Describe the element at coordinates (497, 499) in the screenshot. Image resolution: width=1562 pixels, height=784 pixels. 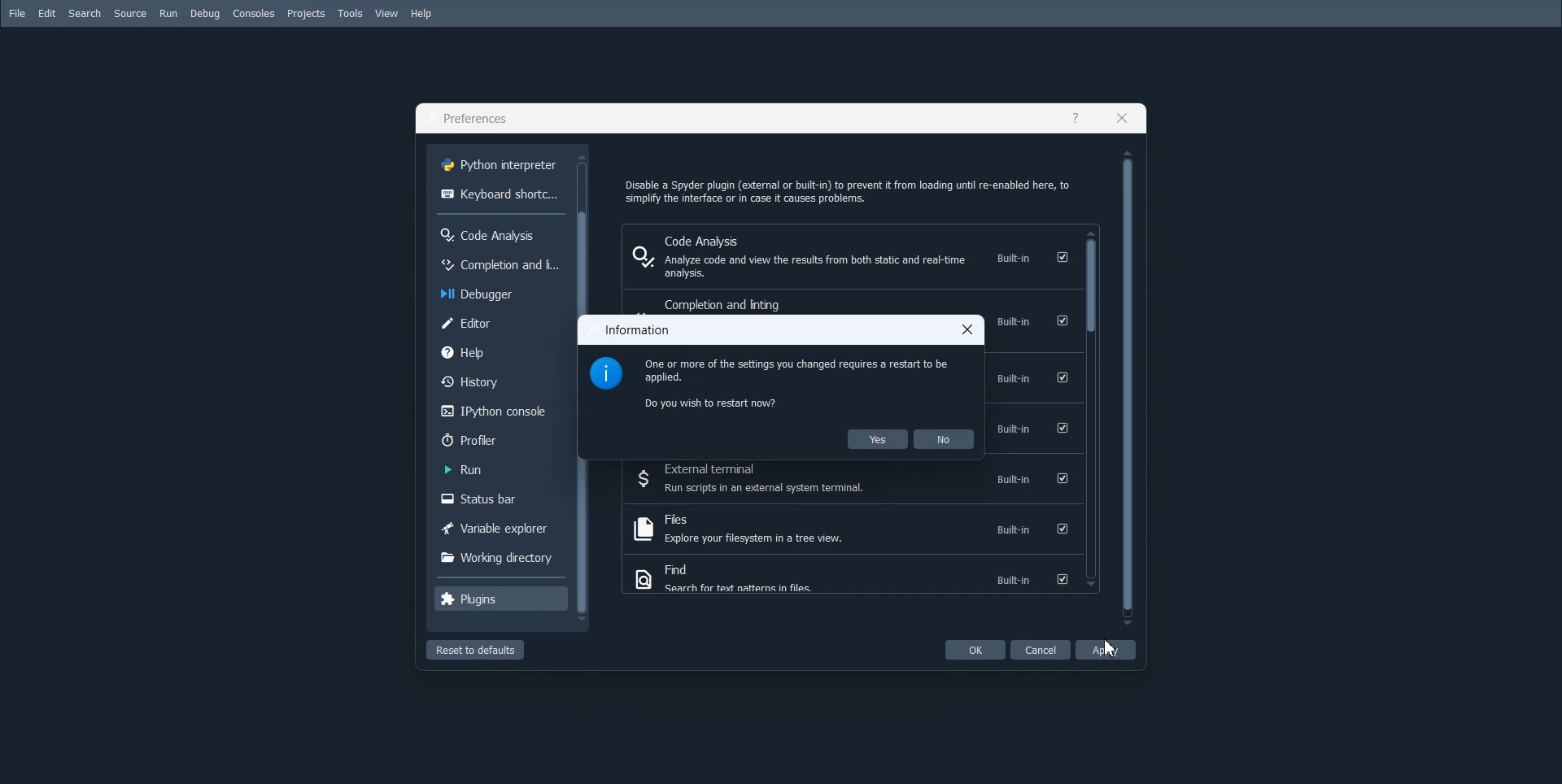
I see `Status bar` at that location.